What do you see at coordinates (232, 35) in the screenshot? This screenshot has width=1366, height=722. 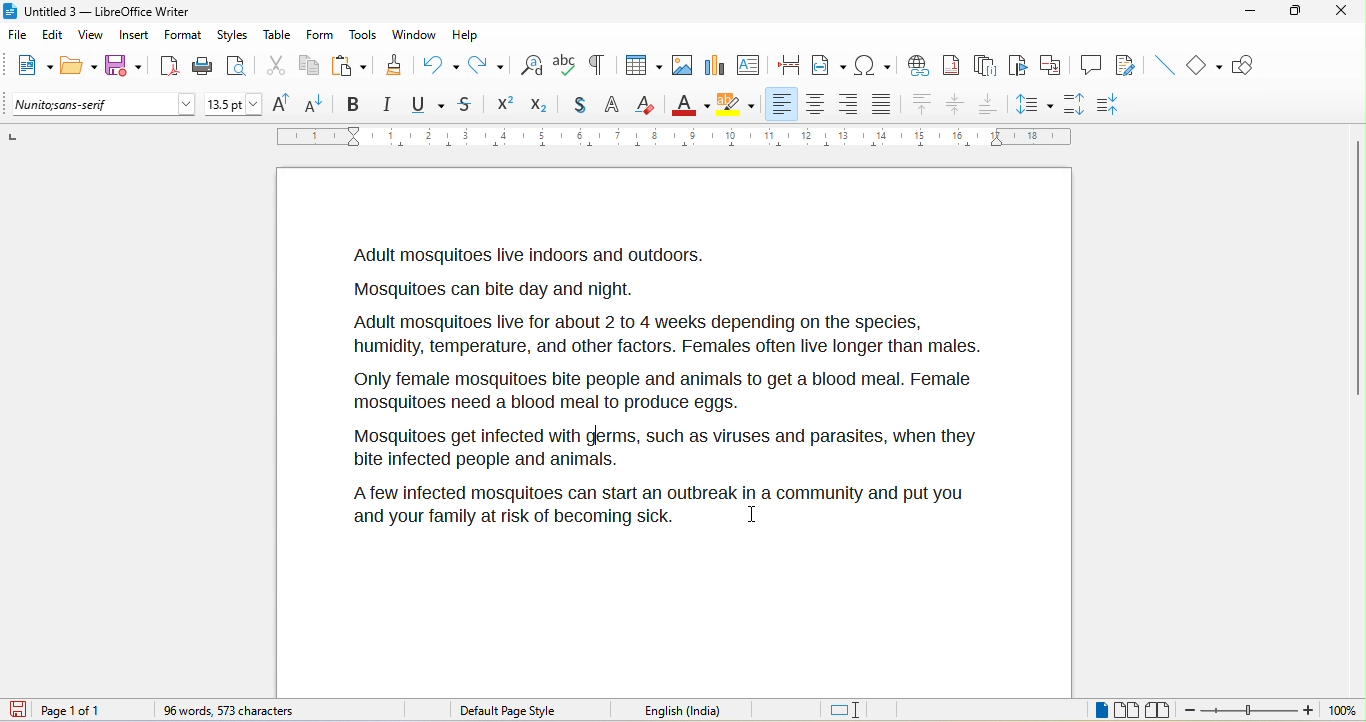 I see `styles` at bounding box center [232, 35].